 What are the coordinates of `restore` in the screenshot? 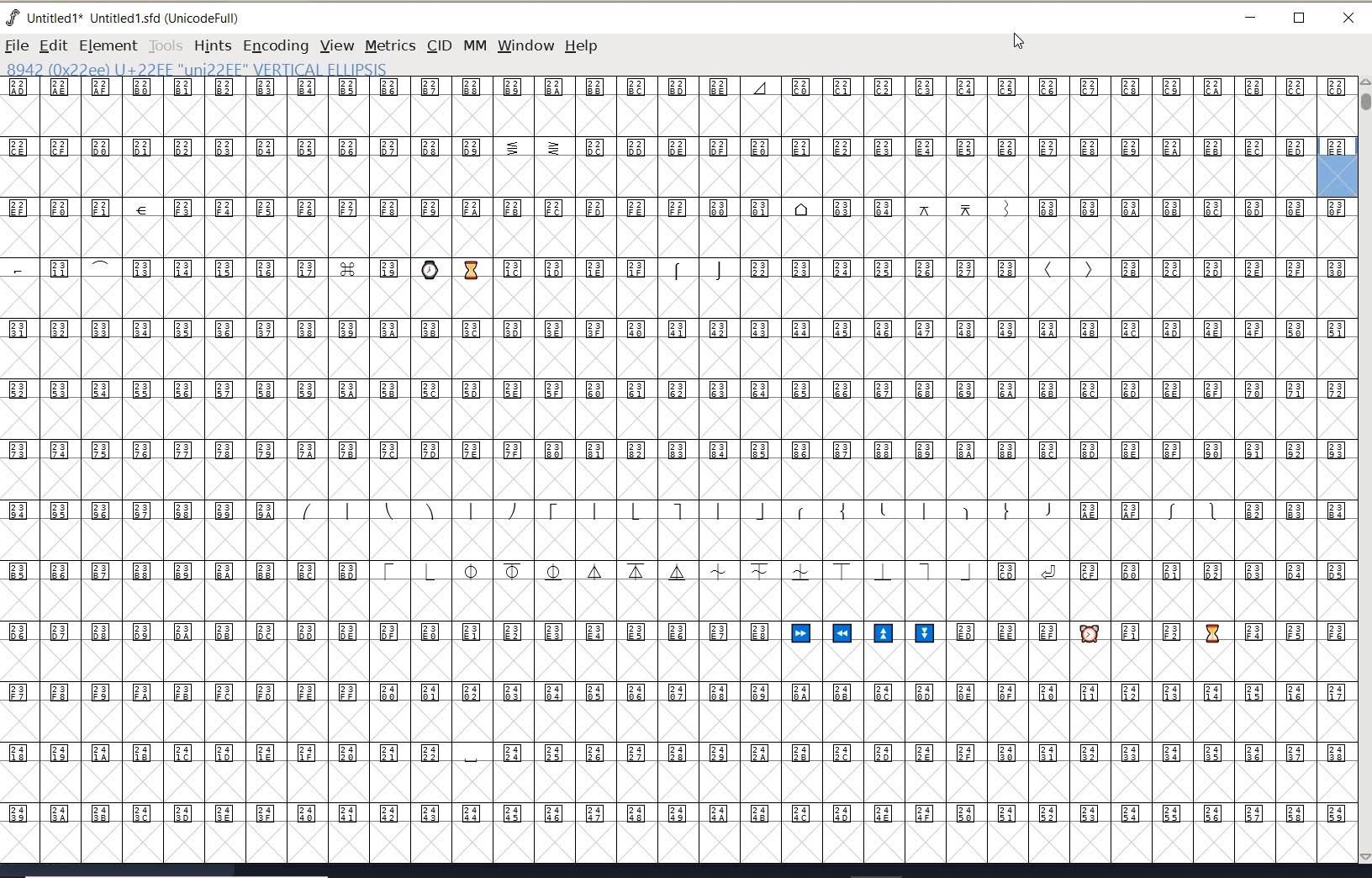 It's located at (1300, 19).